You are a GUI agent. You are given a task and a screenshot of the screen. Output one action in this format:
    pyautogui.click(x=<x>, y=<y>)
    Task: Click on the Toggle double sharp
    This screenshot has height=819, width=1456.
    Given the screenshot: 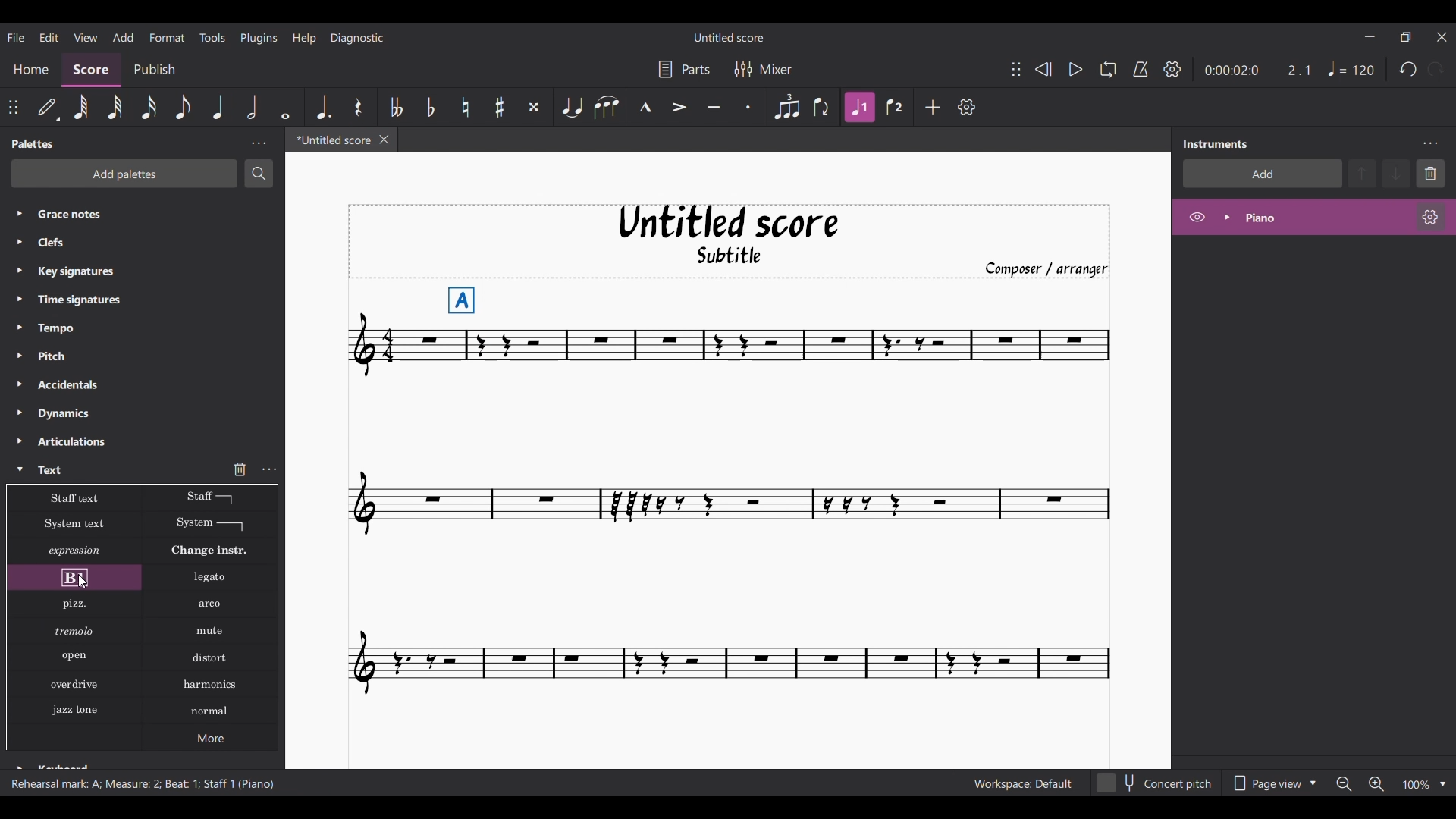 What is the action you would take?
    pyautogui.click(x=534, y=107)
    